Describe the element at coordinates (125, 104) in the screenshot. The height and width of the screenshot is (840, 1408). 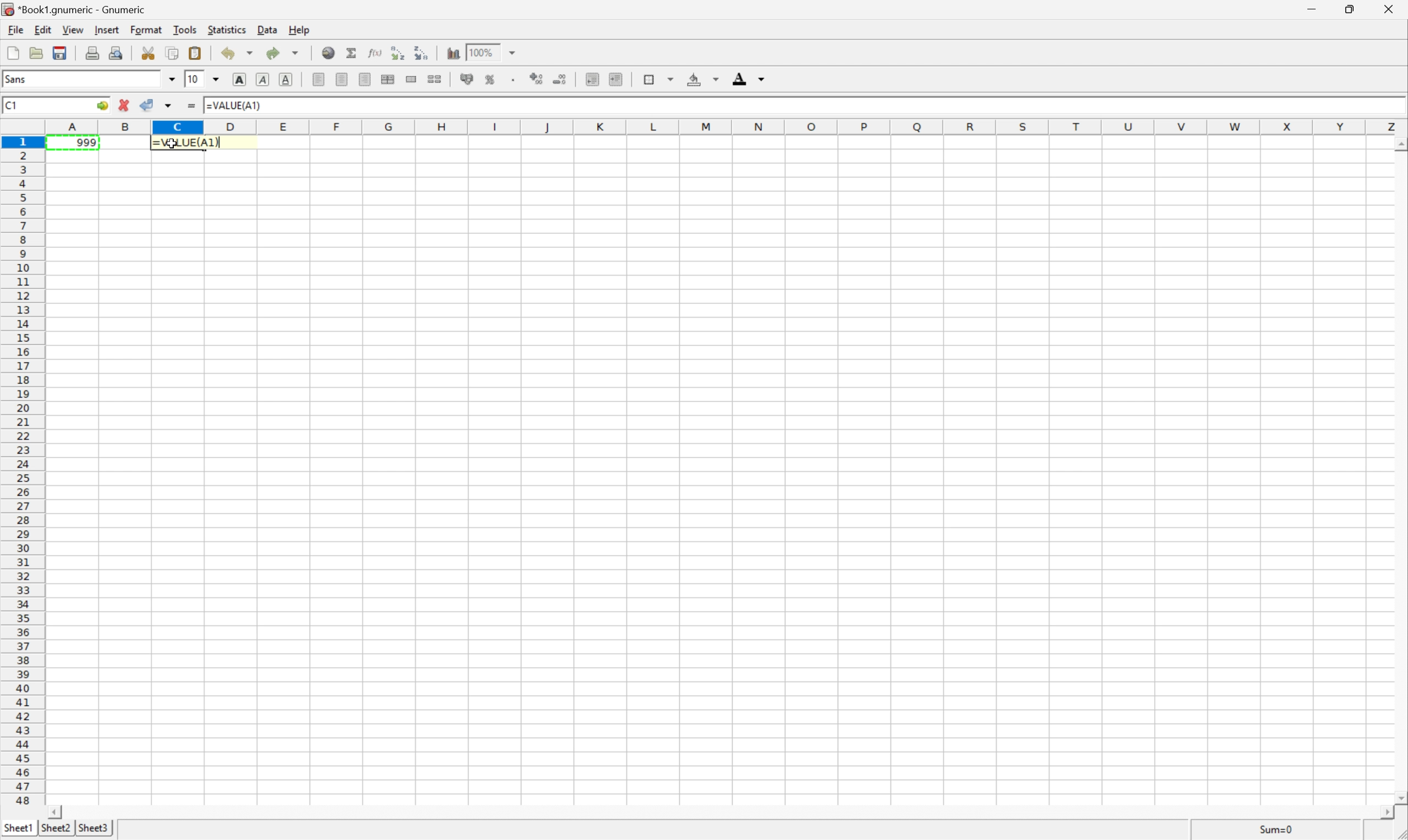
I see `cancel change` at that location.